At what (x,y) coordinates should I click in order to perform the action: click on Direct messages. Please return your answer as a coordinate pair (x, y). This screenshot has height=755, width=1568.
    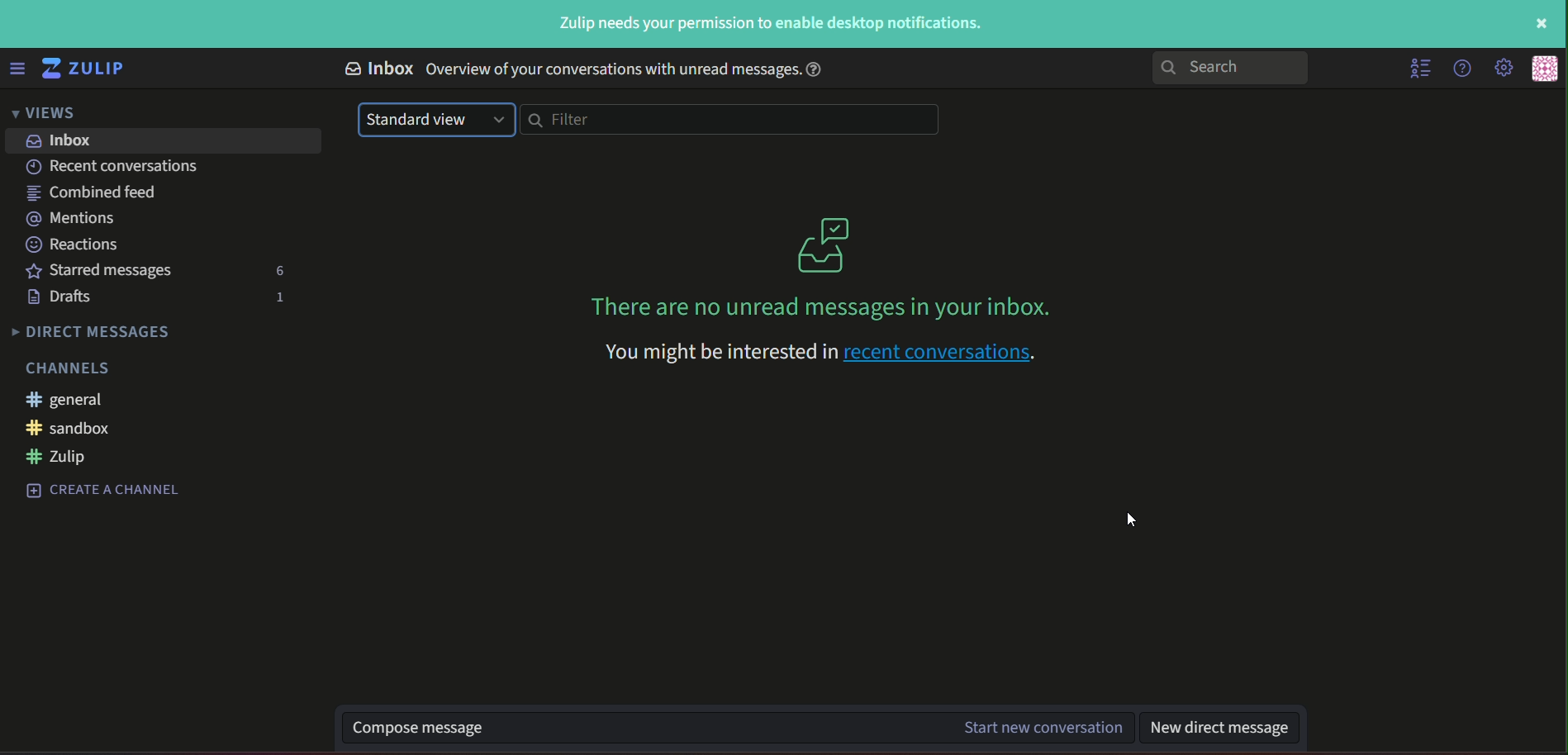
    Looking at the image, I should click on (94, 330).